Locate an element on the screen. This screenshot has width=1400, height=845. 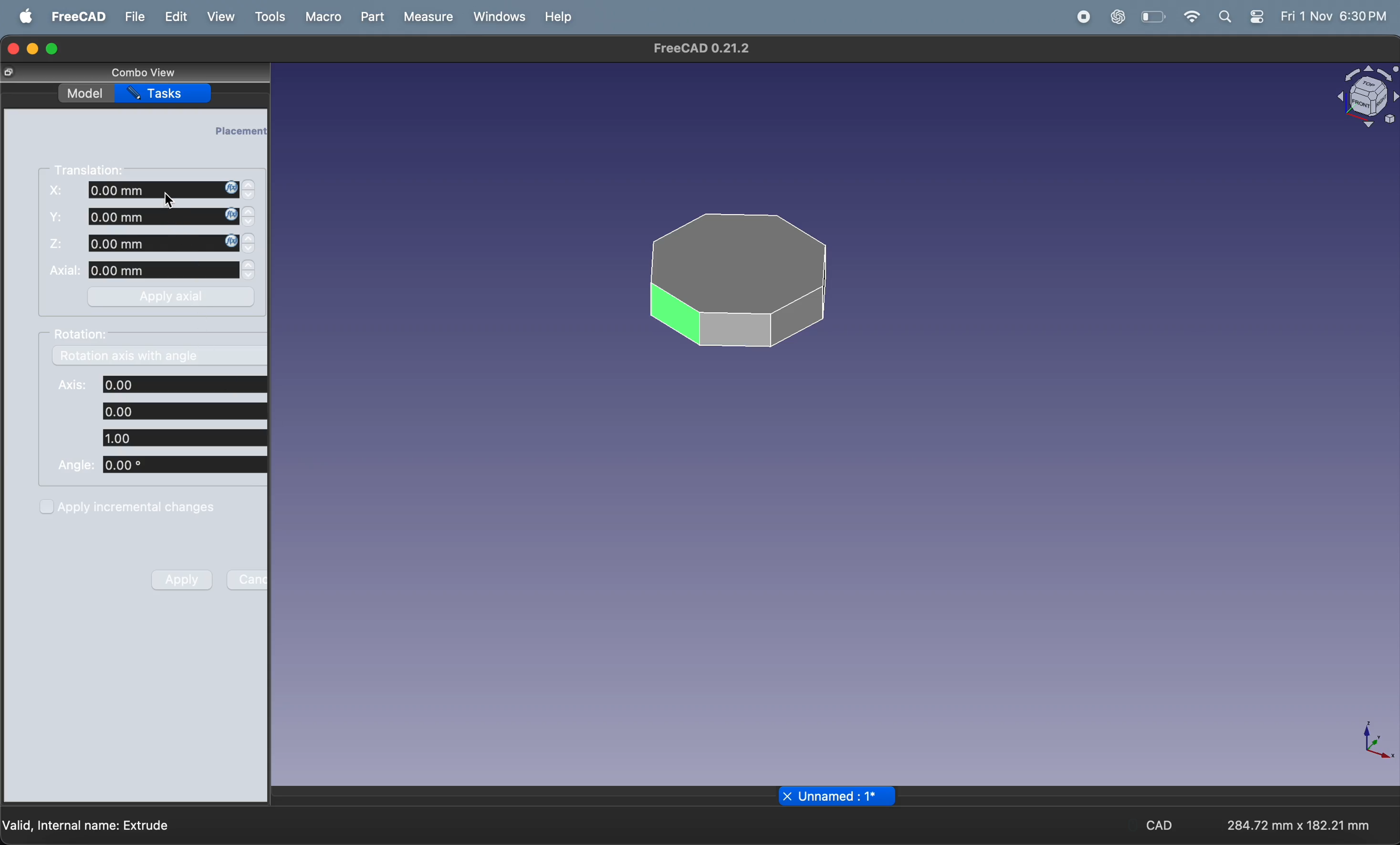
closing window is located at coordinates (12, 47).